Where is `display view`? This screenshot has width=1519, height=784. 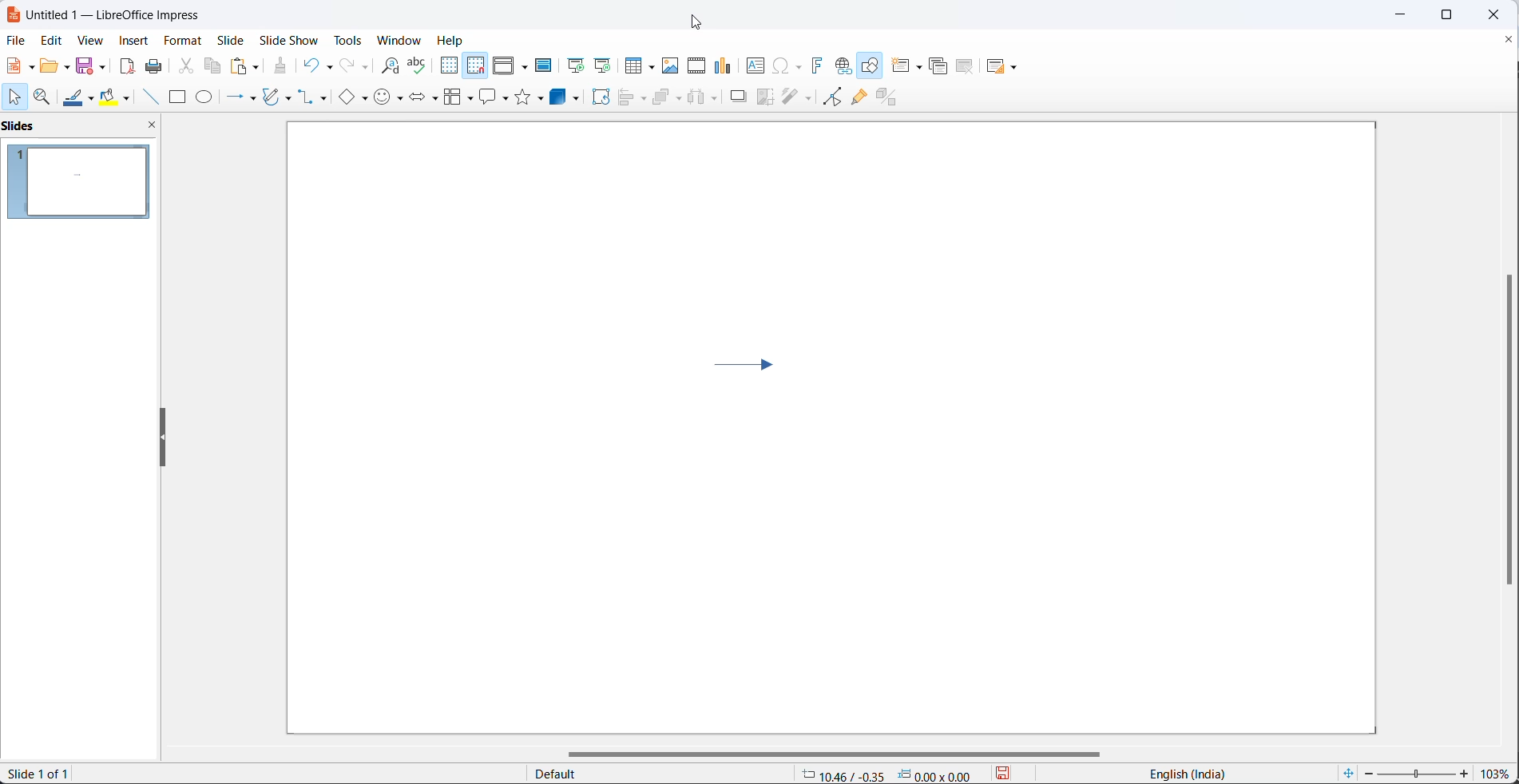
display view is located at coordinates (510, 65).